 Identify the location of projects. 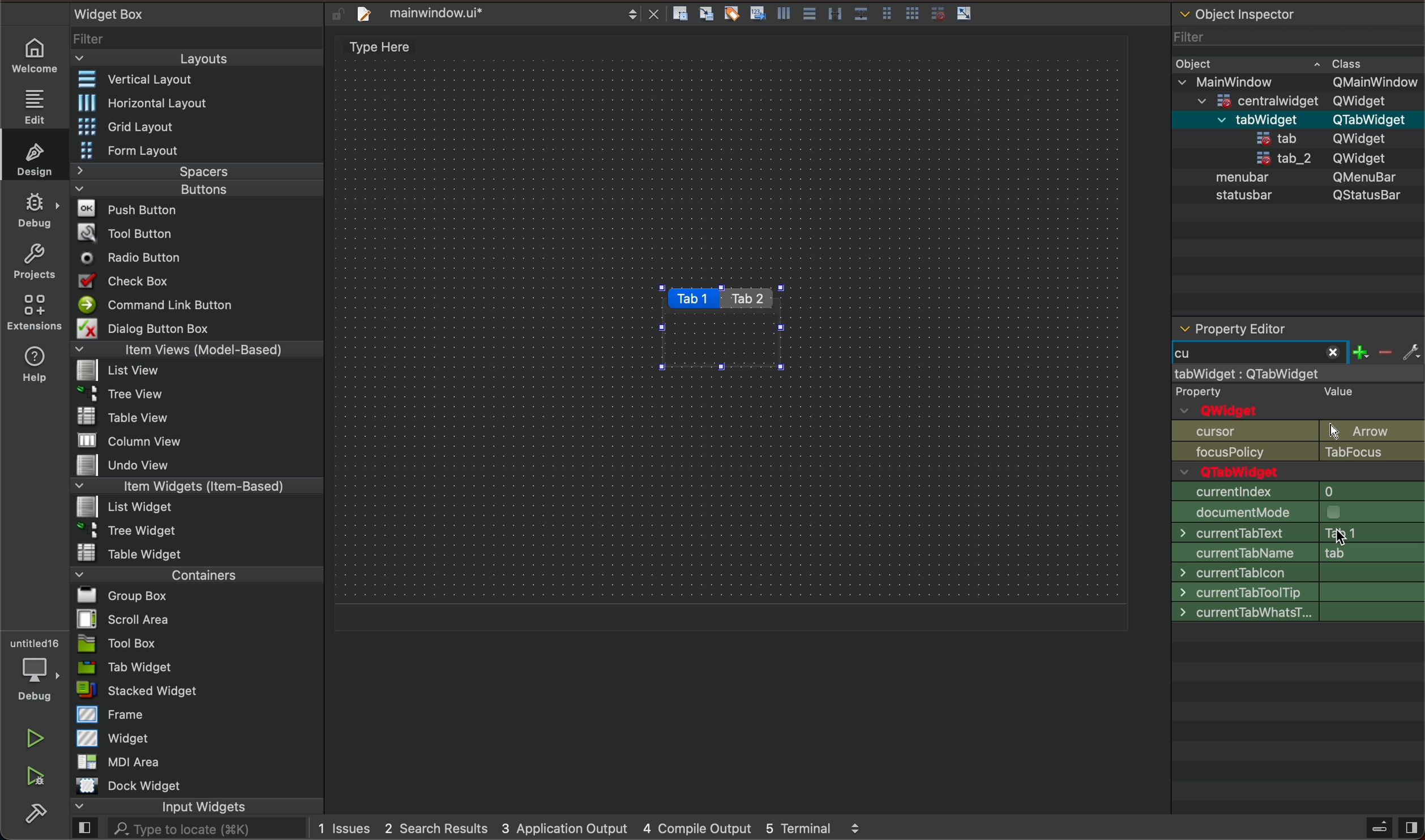
(36, 261).